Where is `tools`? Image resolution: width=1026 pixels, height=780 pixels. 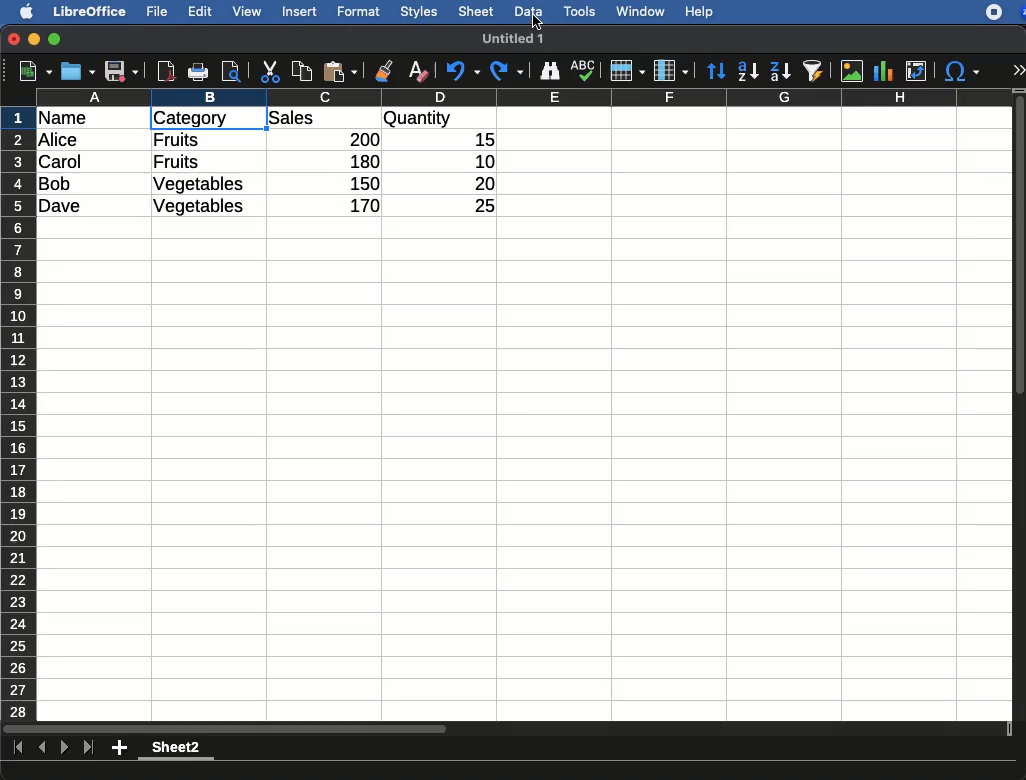
tools is located at coordinates (581, 11).